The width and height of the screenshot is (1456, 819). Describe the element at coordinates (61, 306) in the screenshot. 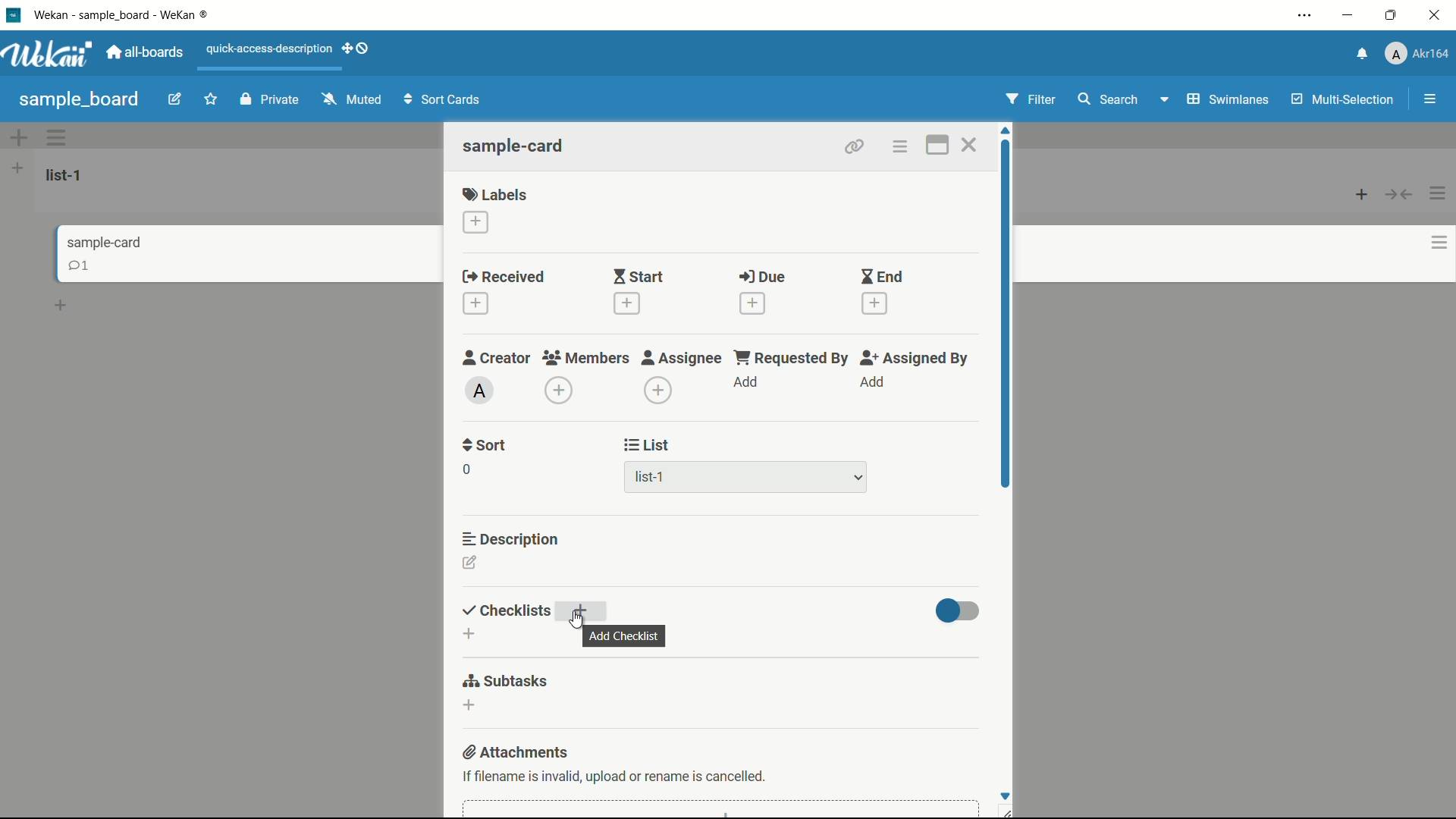

I see `add` at that location.